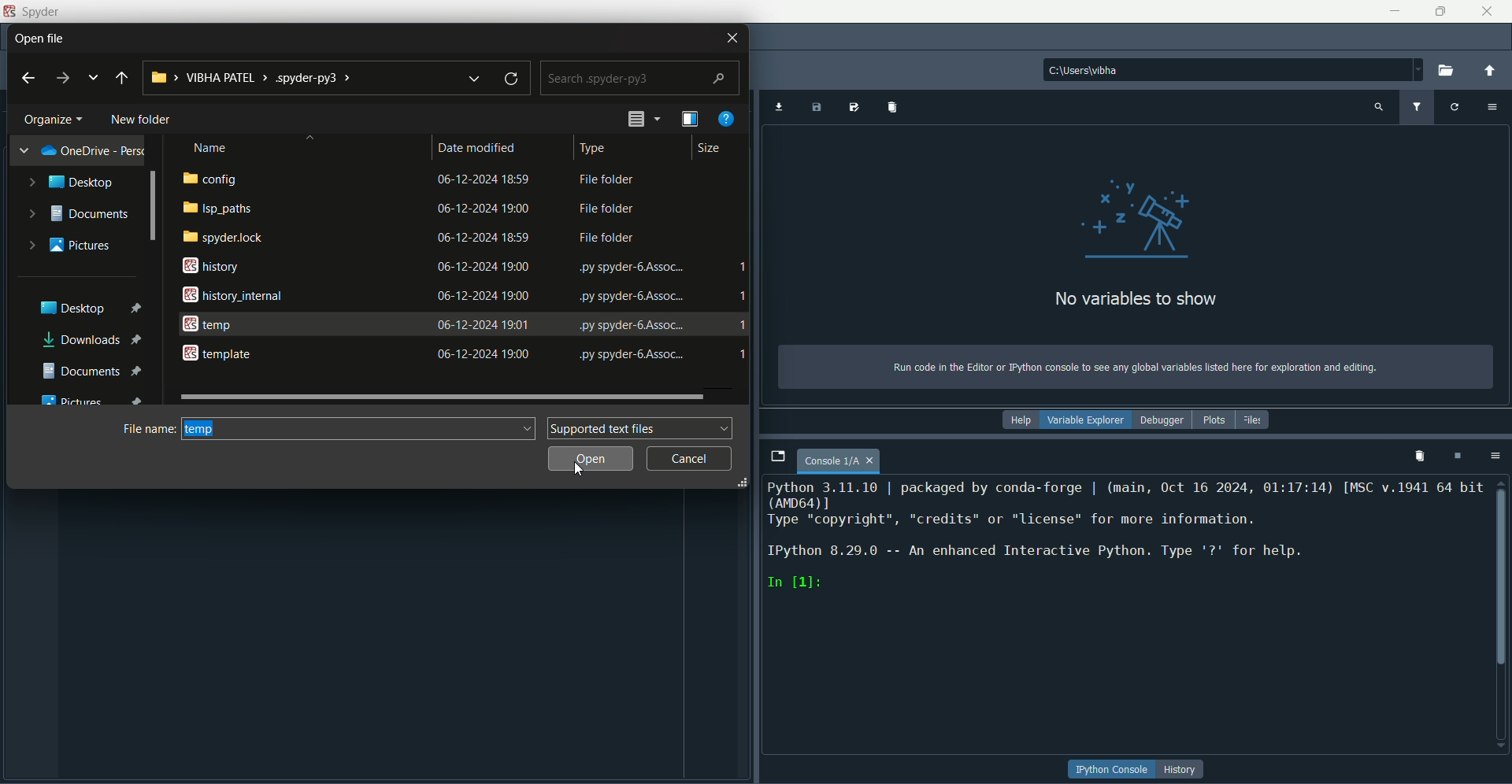 This screenshot has width=1512, height=784. What do you see at coordinates (231, 294) in the screenshot?
I see `history internal` at bounding box center [231, 294].